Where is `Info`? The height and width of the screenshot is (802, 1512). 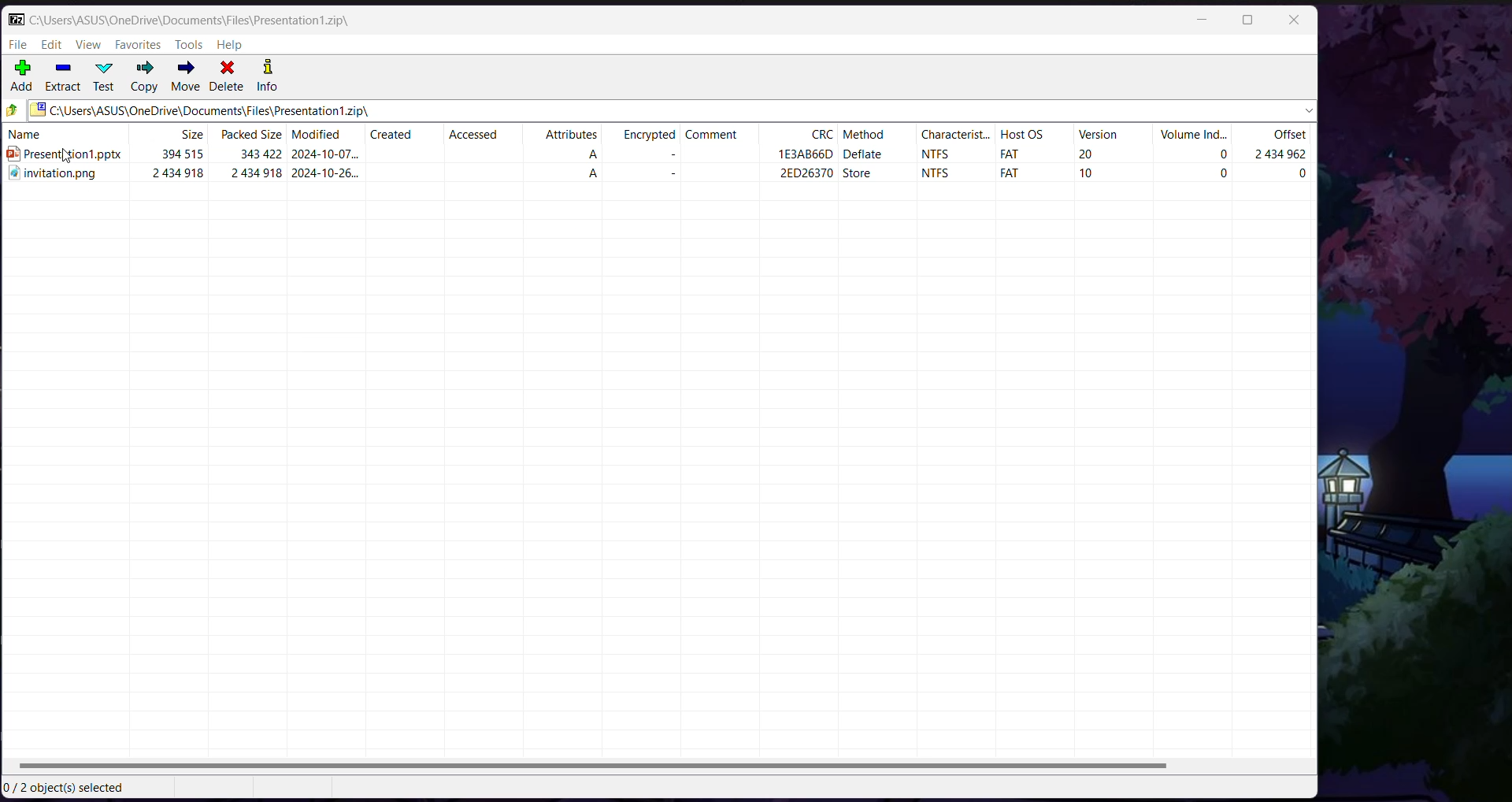 Info is located at coordinates (268, 76).